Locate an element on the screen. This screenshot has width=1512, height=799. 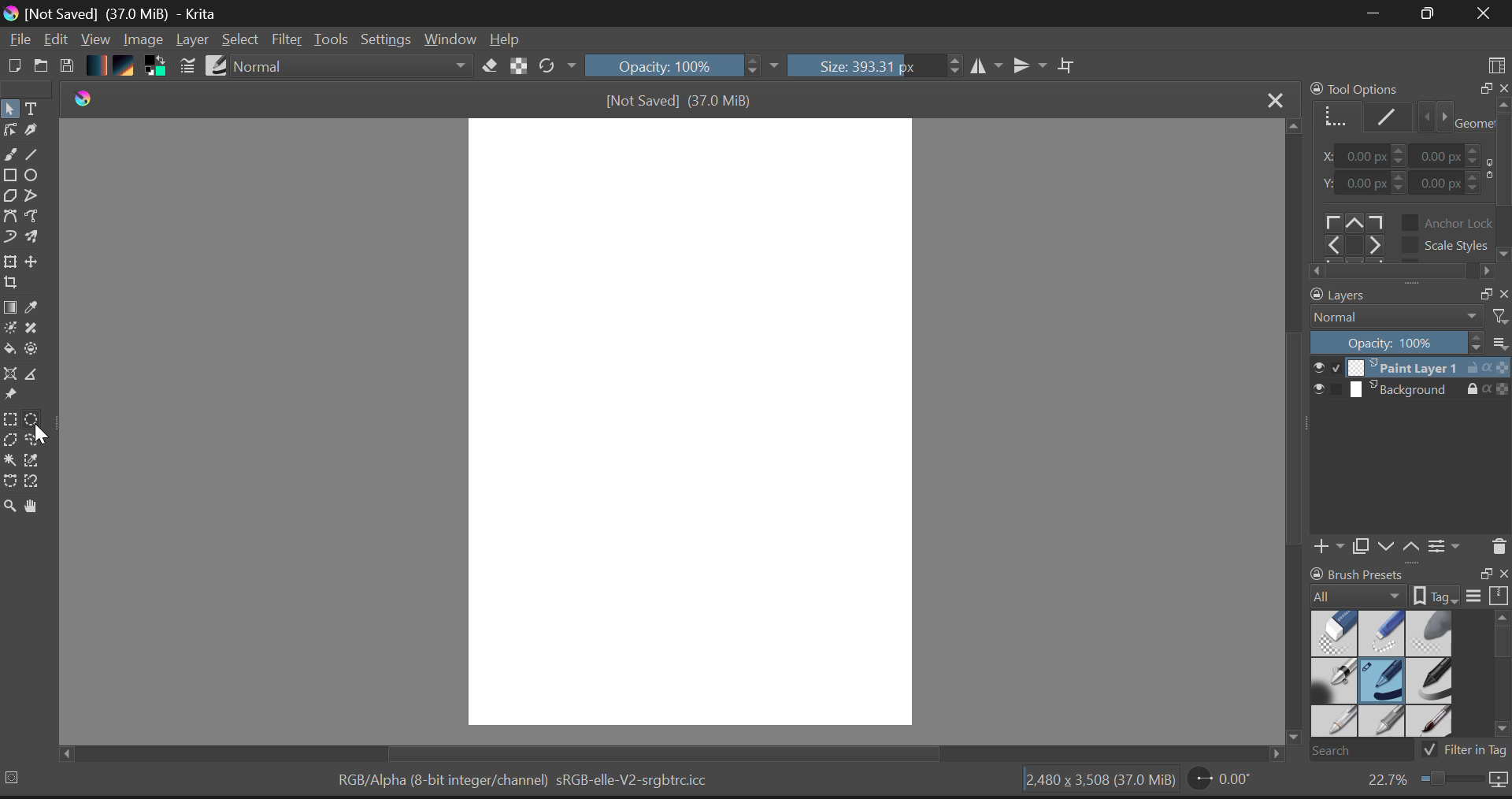
Measurements is located at coordinates (38, 375).